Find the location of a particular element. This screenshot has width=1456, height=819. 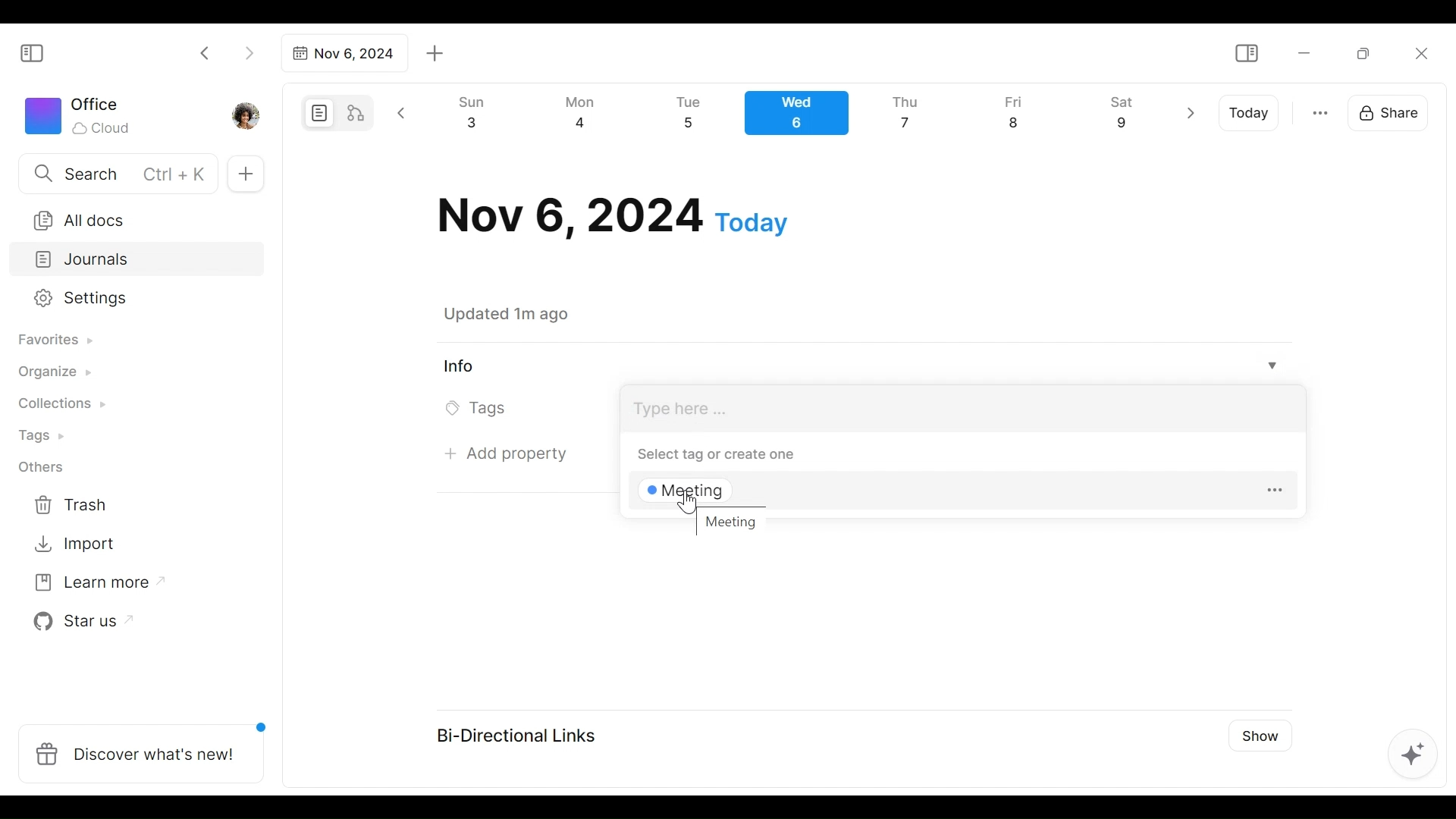

Profile photo is located at coordinates (247, 112).